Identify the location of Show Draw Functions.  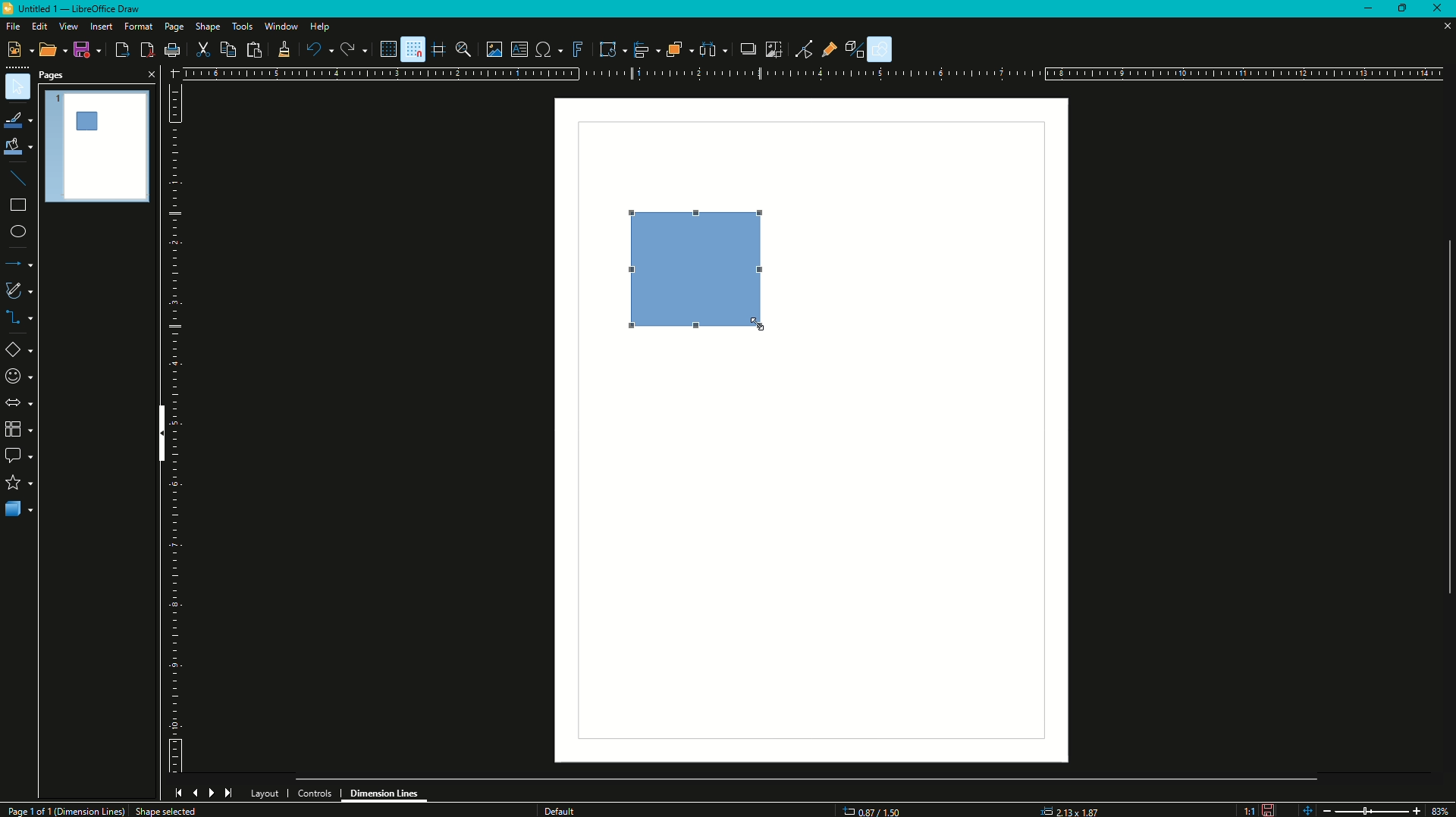
(882, 49).